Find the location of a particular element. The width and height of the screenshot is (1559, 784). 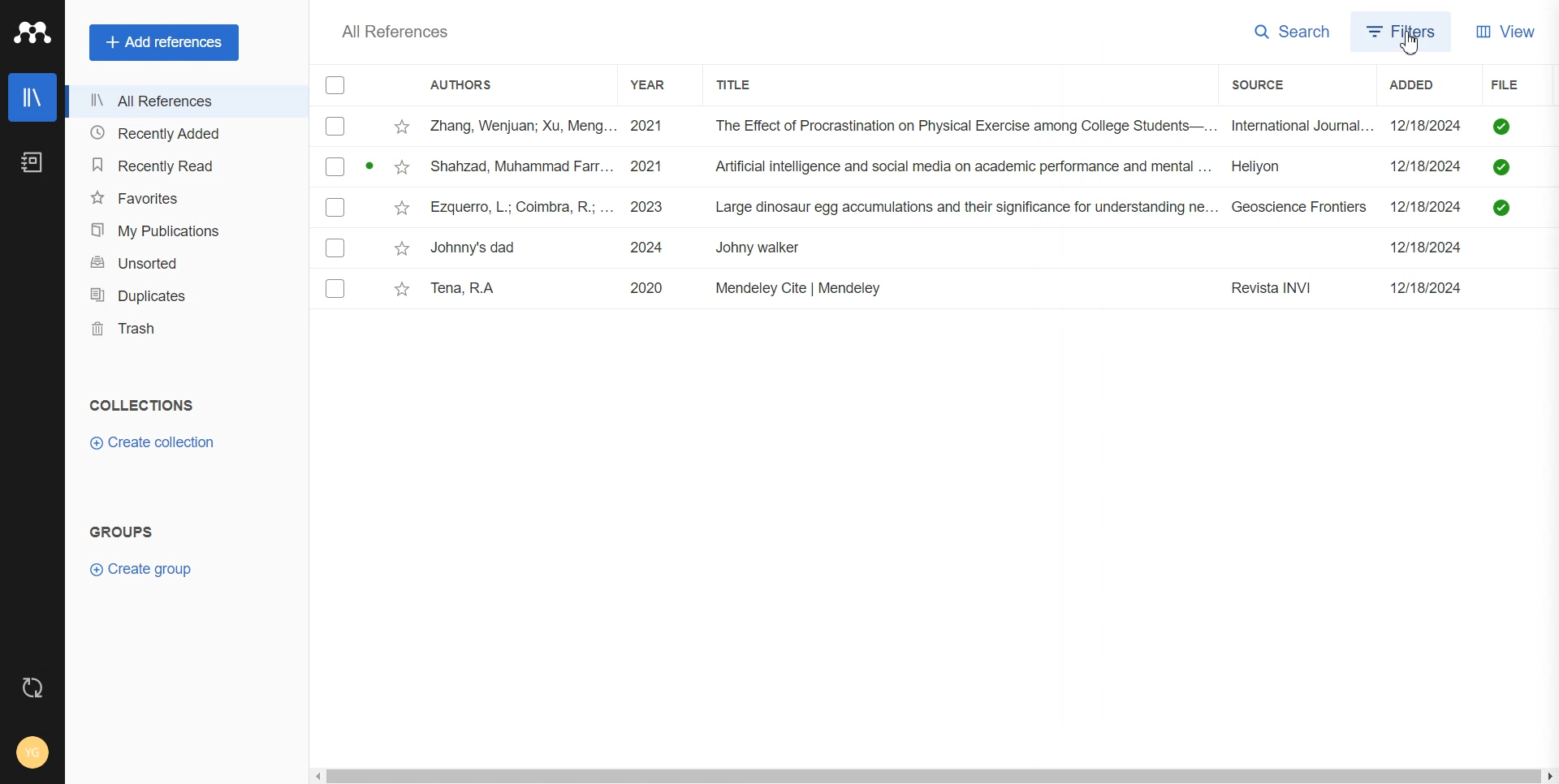

Create Group is located at coordinates (149, 569).